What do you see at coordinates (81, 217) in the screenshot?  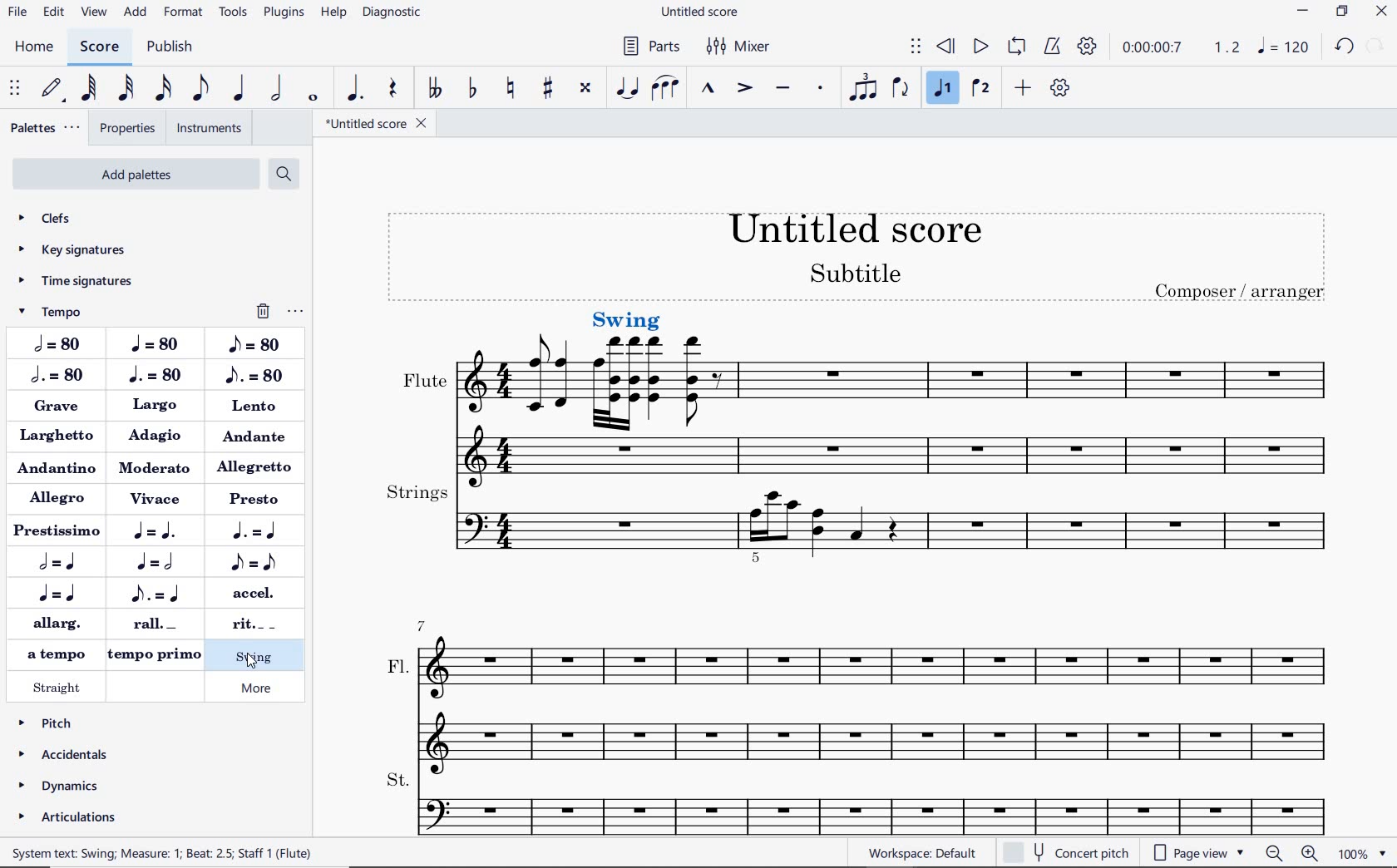 I see `clefs` at bounding box center [81, 217].